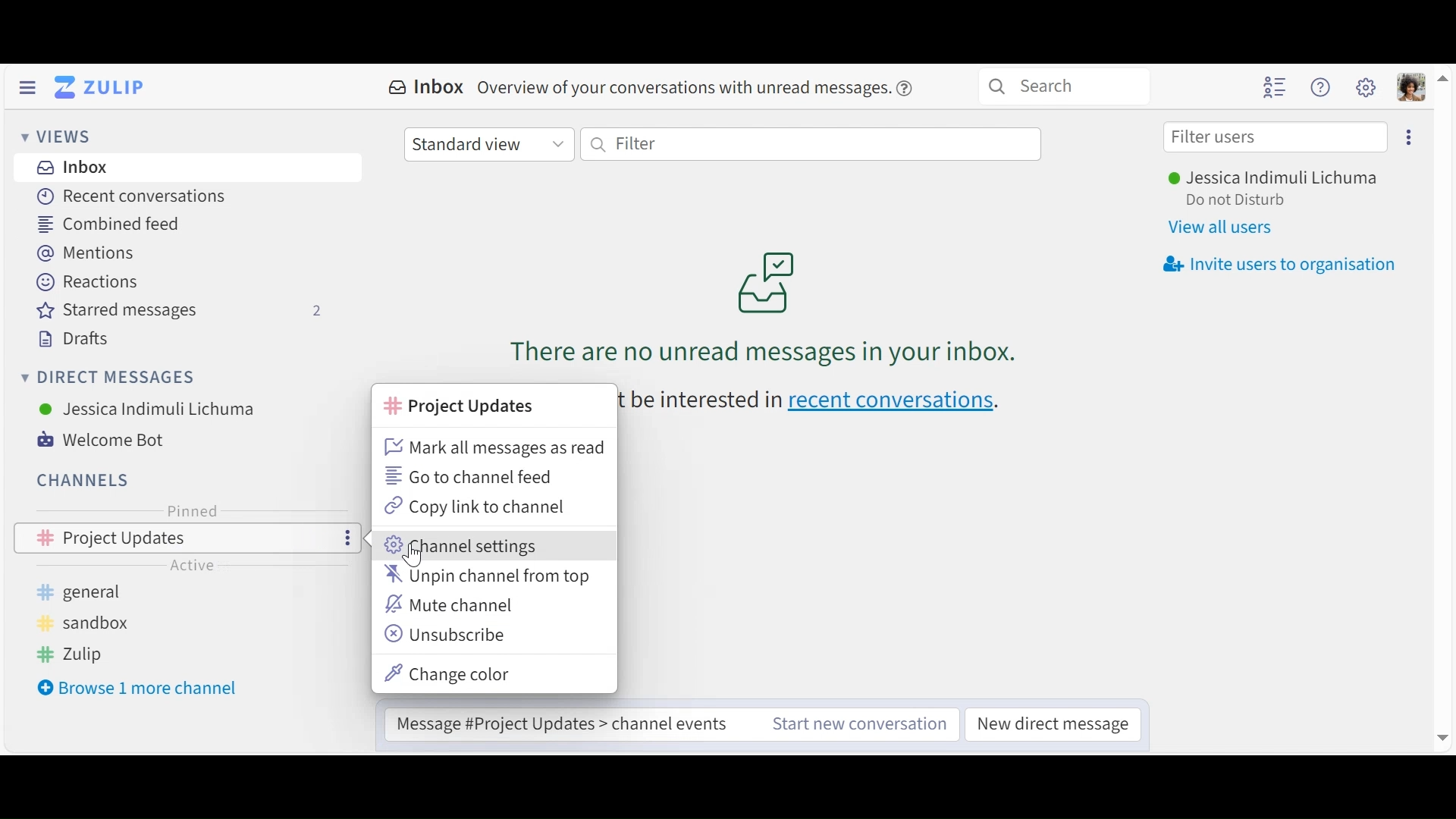  I want to click on Inbox, so click(71, 168).